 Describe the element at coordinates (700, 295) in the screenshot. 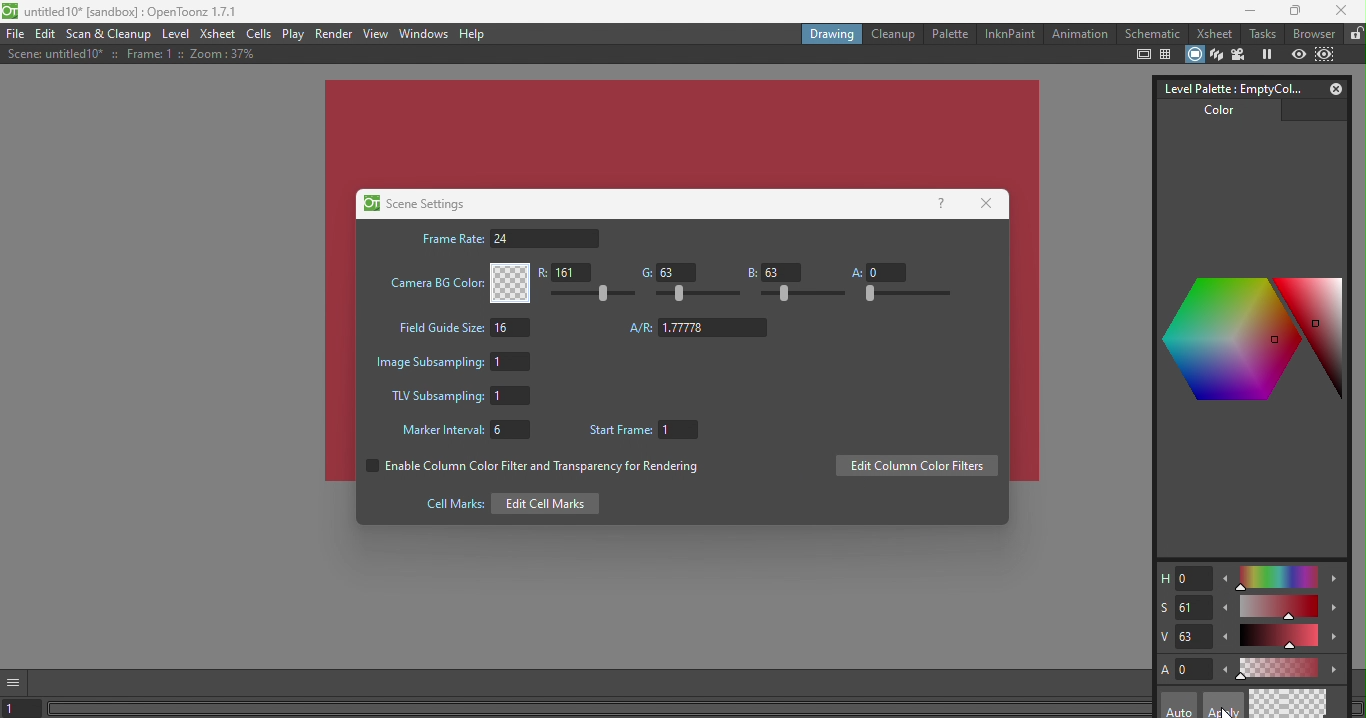

I see `Slide bar` at that location.